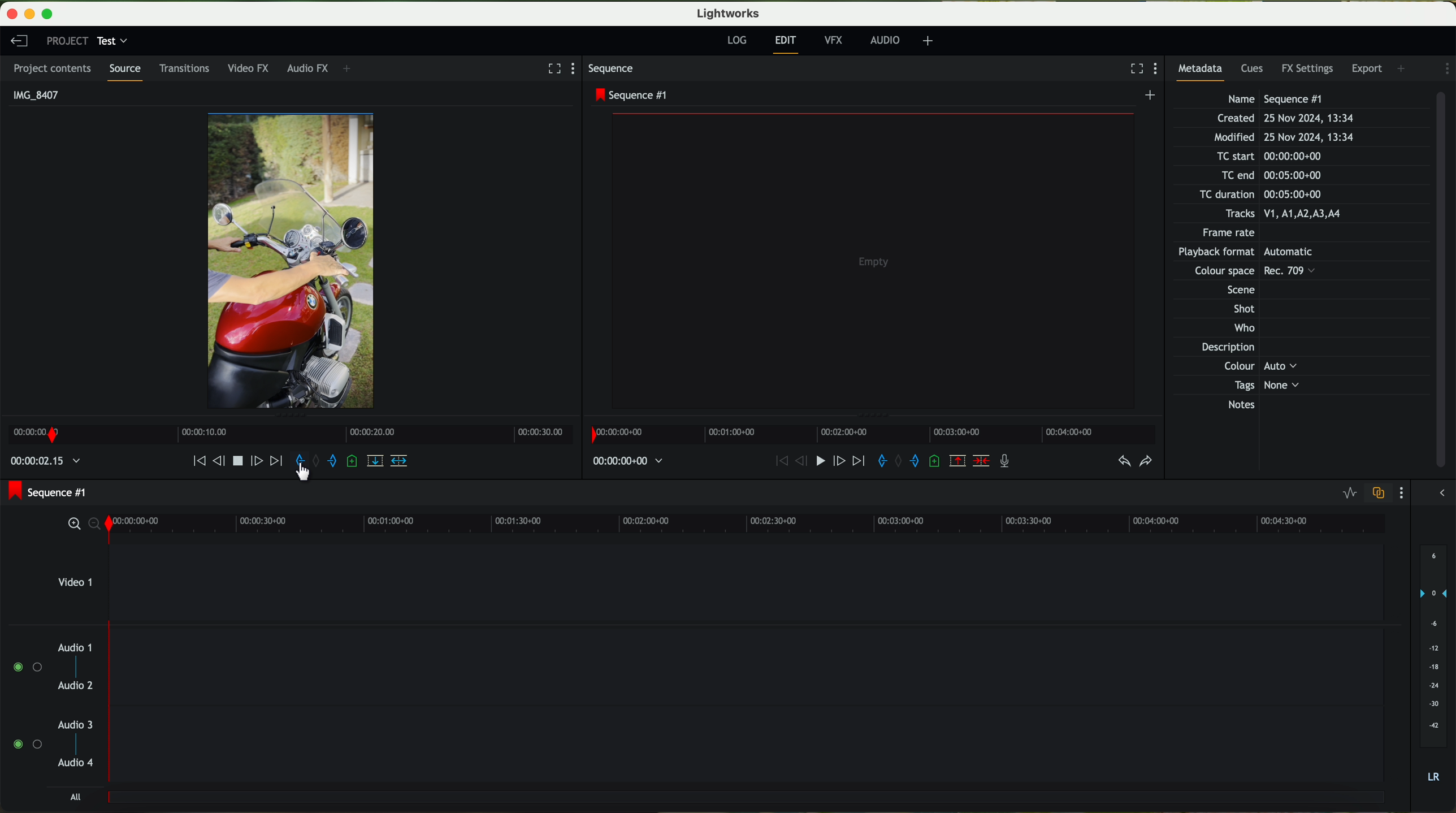 This screenshot has width=1456, height=813. Describe the element at coordinates (1368, 67) in the screenshot. I see `export` at that location.